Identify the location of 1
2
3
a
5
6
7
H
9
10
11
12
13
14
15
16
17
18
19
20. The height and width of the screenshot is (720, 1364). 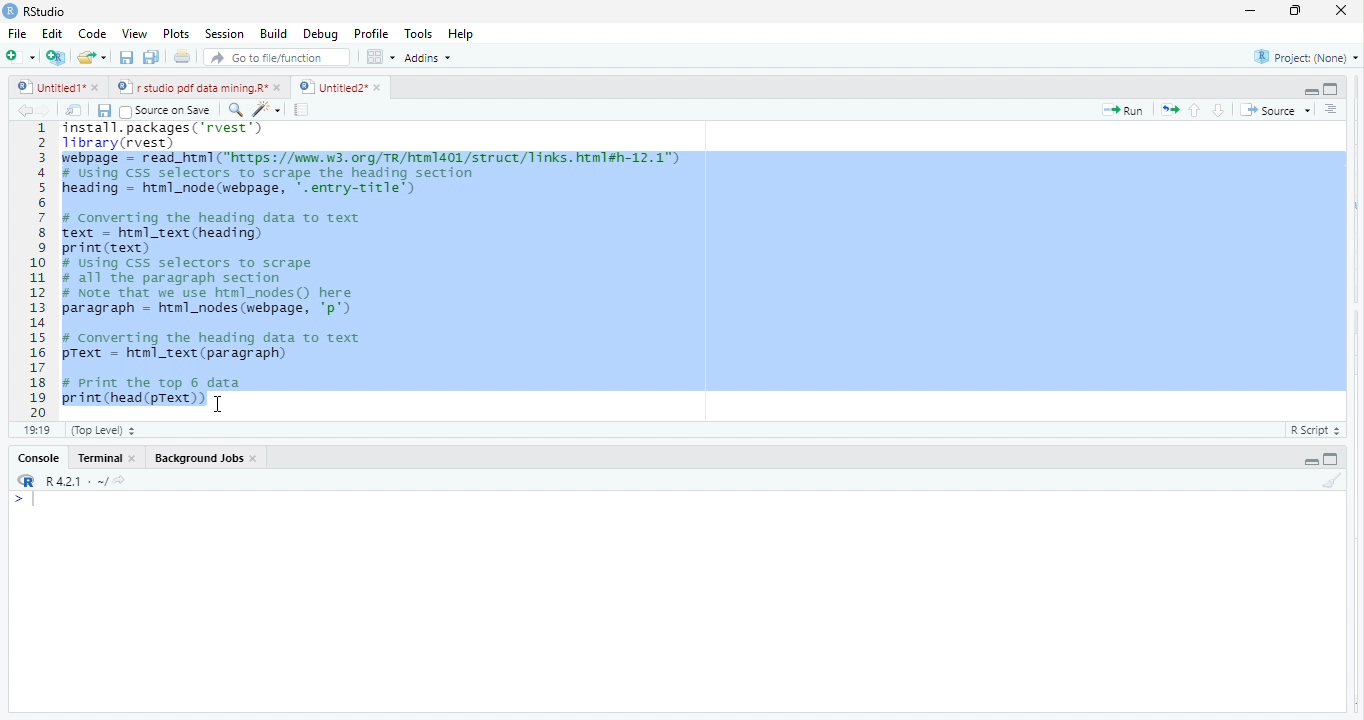
(38, 269).